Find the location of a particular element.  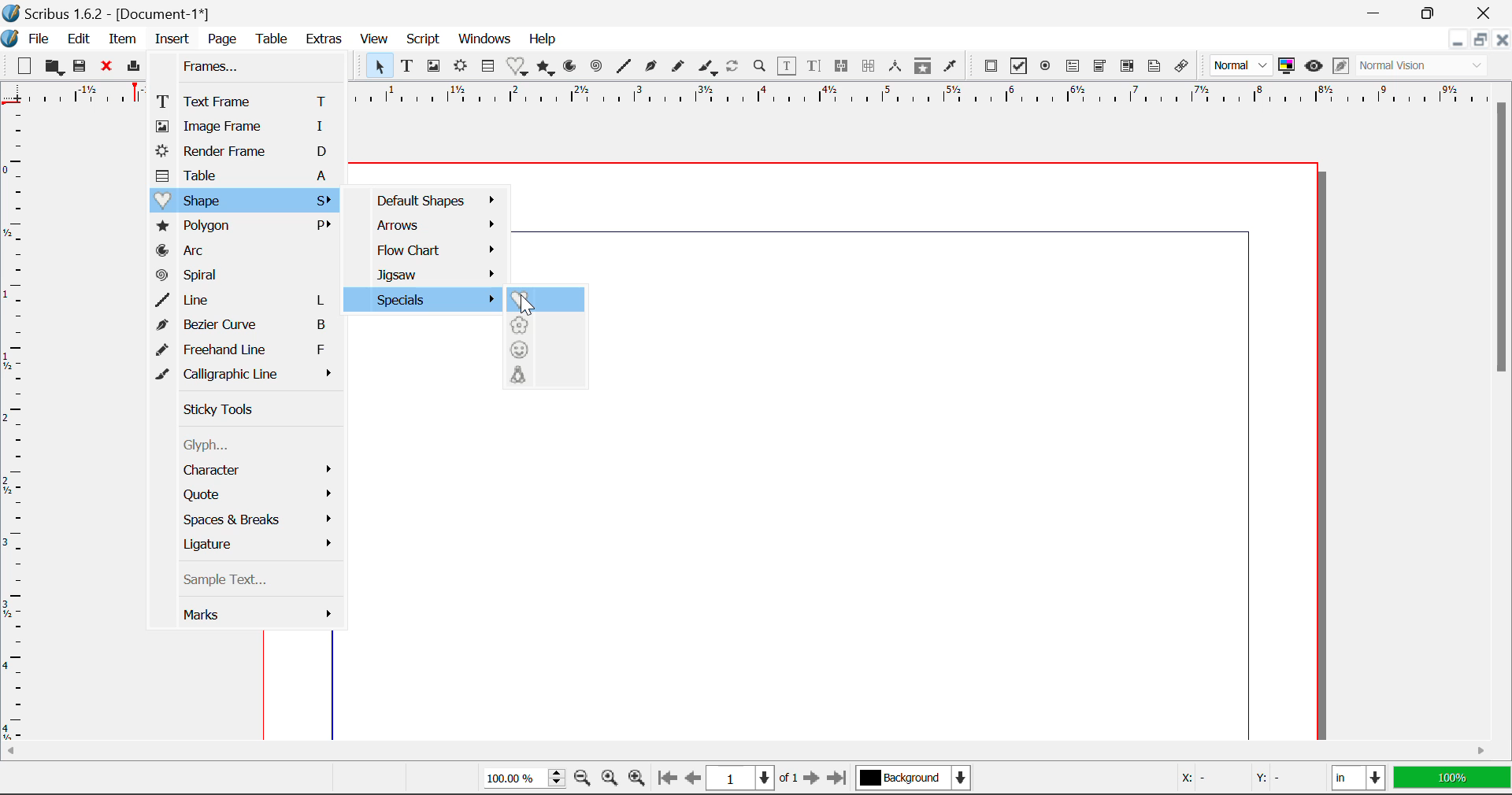

Select is located at coordinates (379, 66).